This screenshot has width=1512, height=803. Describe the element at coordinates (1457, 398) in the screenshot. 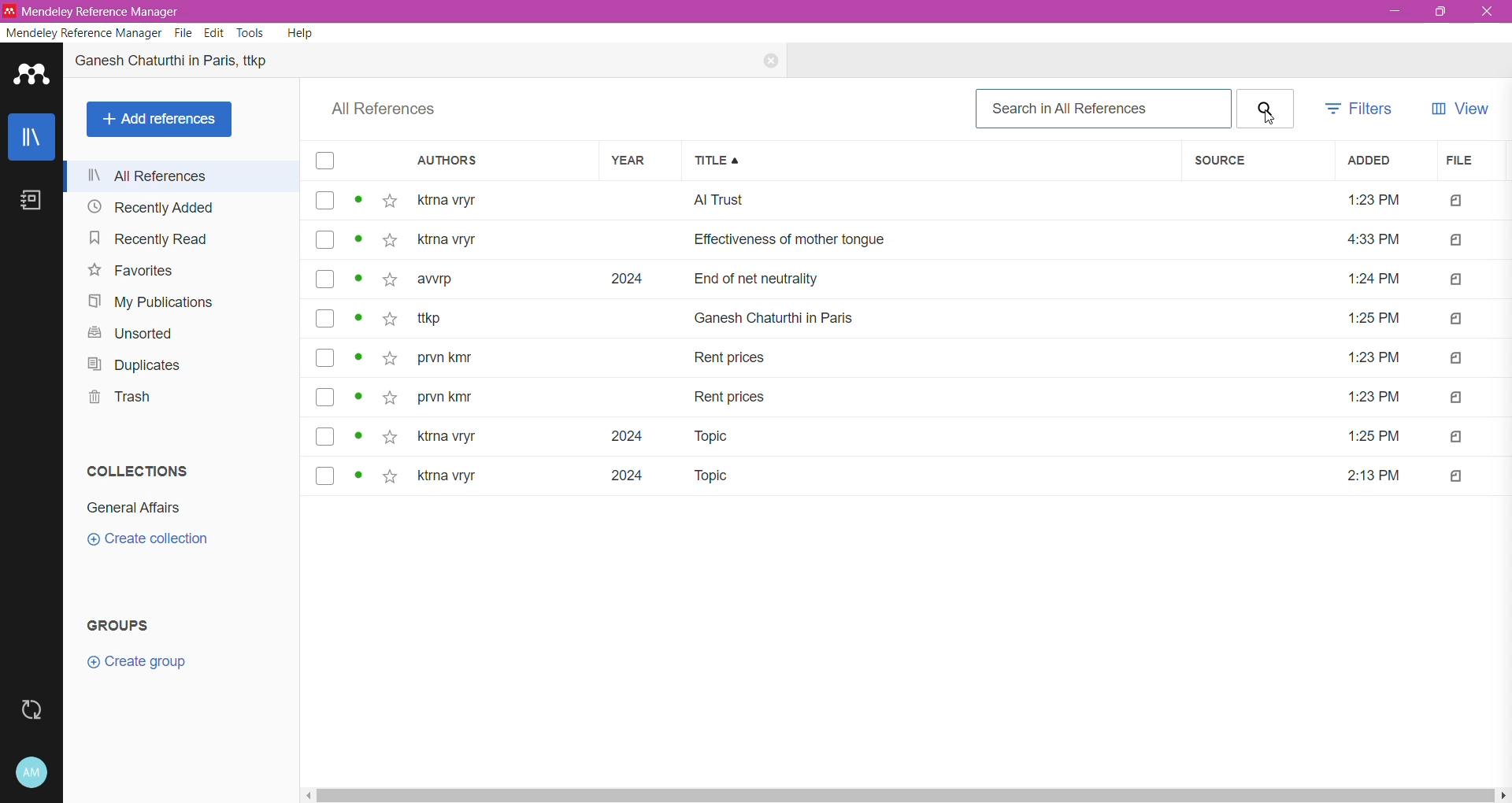

I see `file type` at that location.